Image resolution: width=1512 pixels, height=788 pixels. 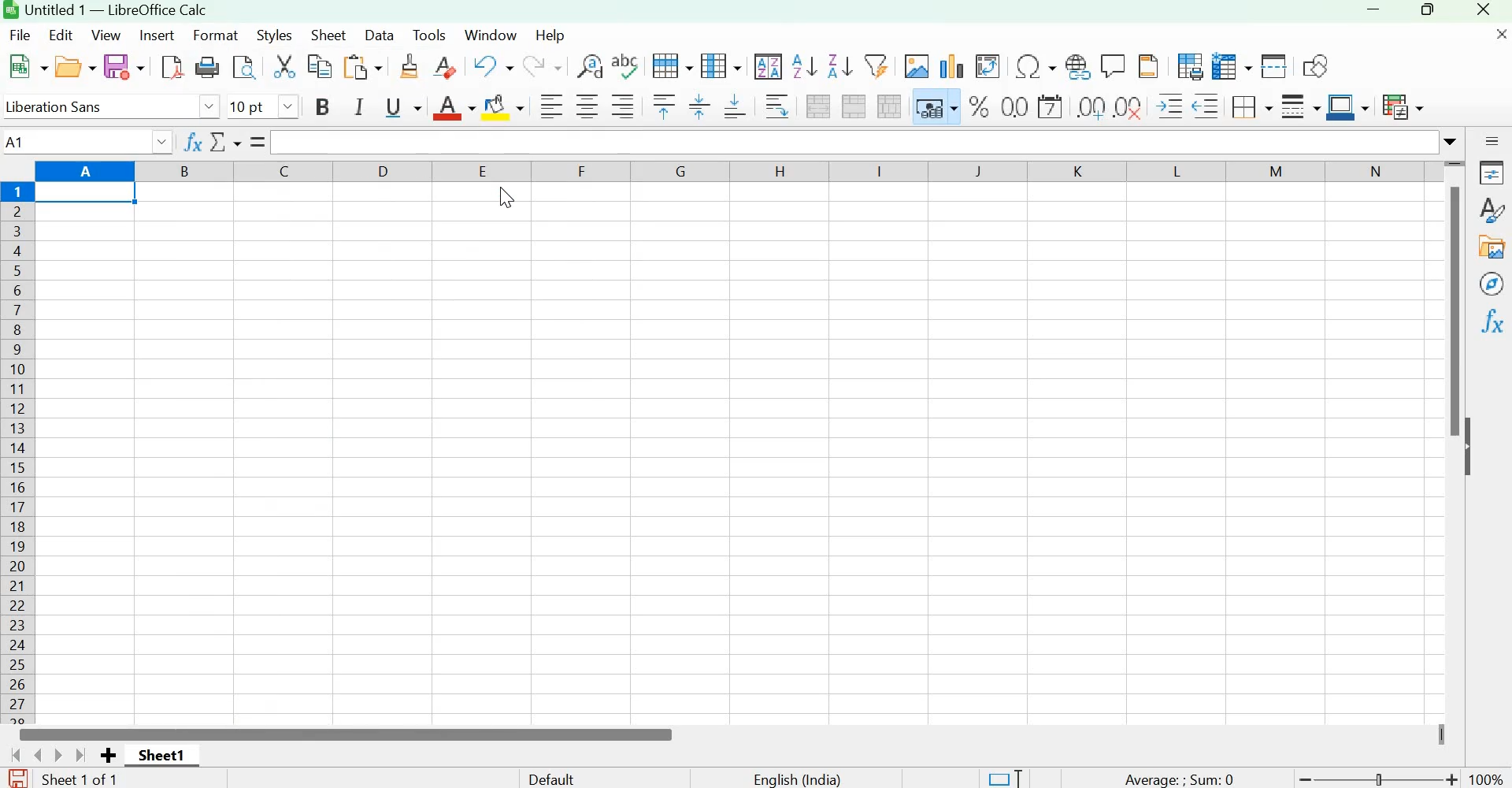 I want to click on Edit, so click(x=62, y=34).